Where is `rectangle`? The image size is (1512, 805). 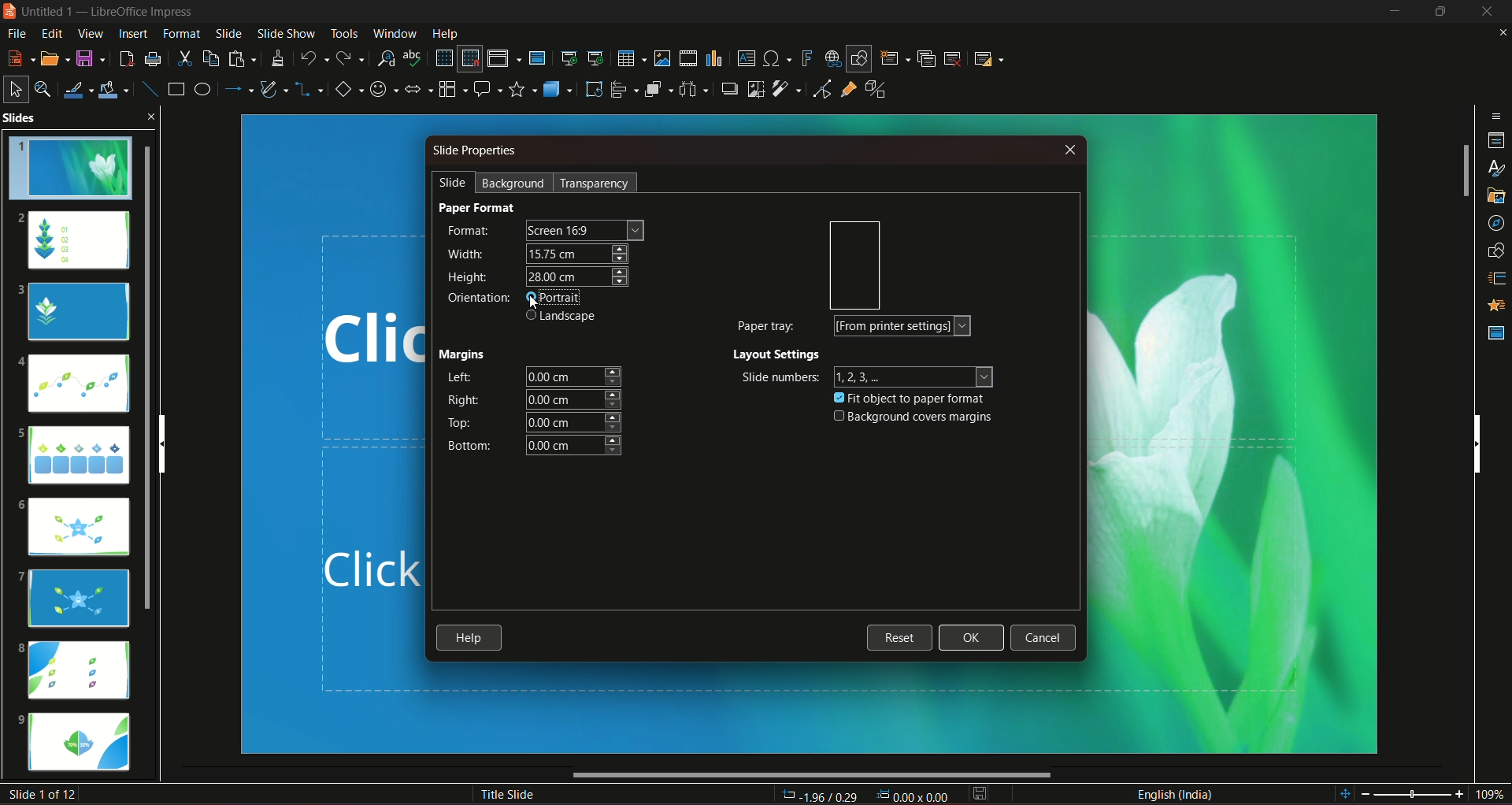 rectangle is located at coordinates (174, 90).